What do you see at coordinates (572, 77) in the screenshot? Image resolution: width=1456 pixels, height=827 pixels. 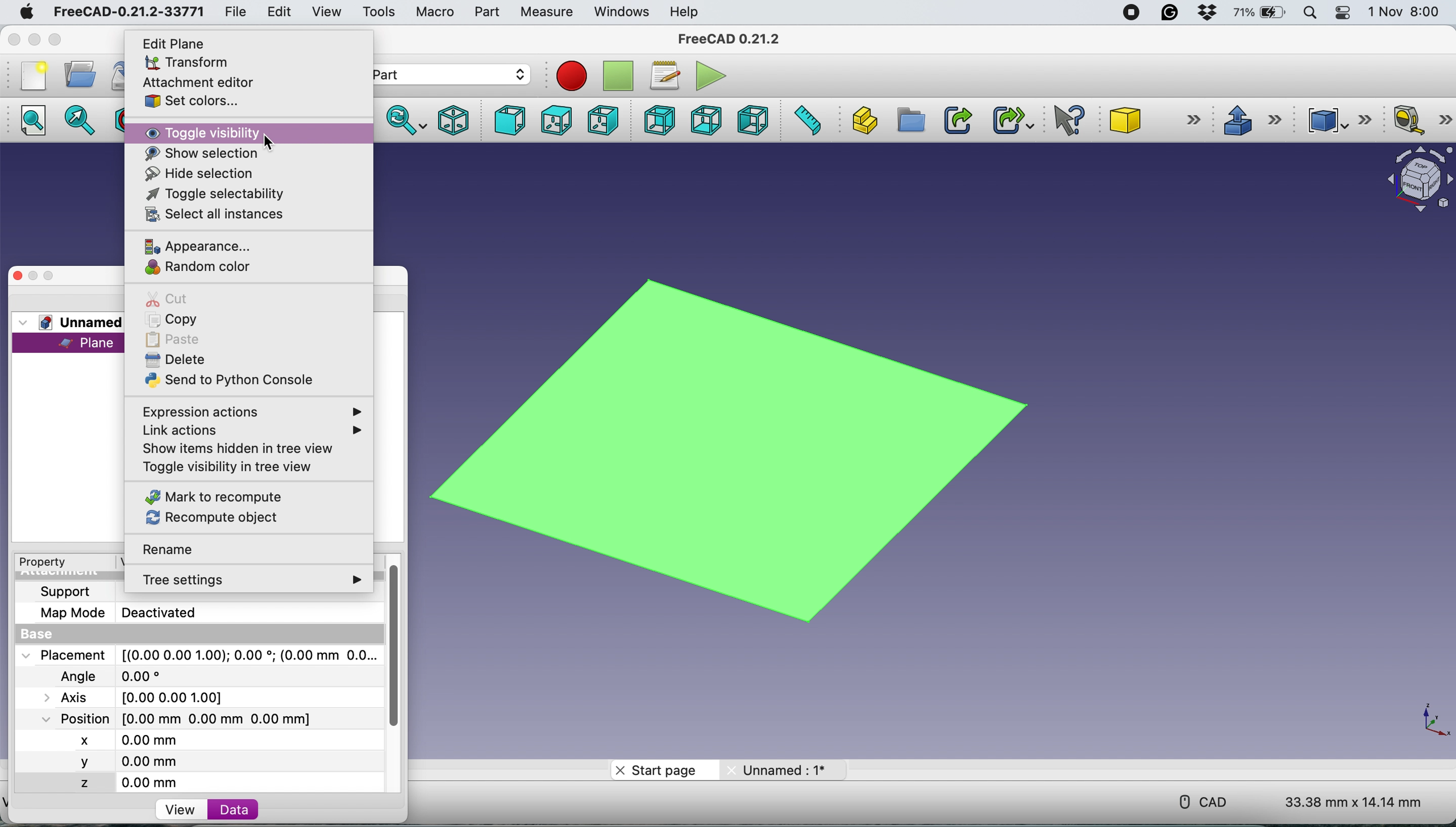 I see `recording macros` at bounding box center [572, 77].